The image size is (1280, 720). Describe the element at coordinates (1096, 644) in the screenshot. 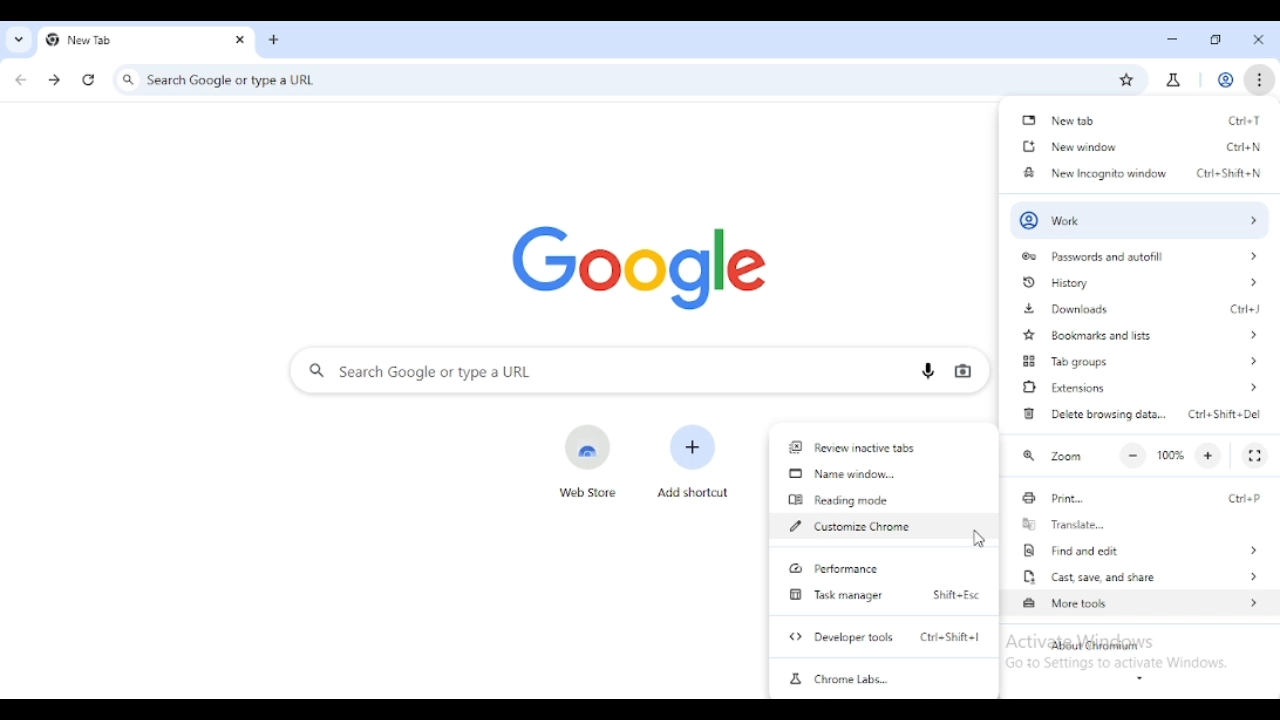

I see `about chromium` at that location.